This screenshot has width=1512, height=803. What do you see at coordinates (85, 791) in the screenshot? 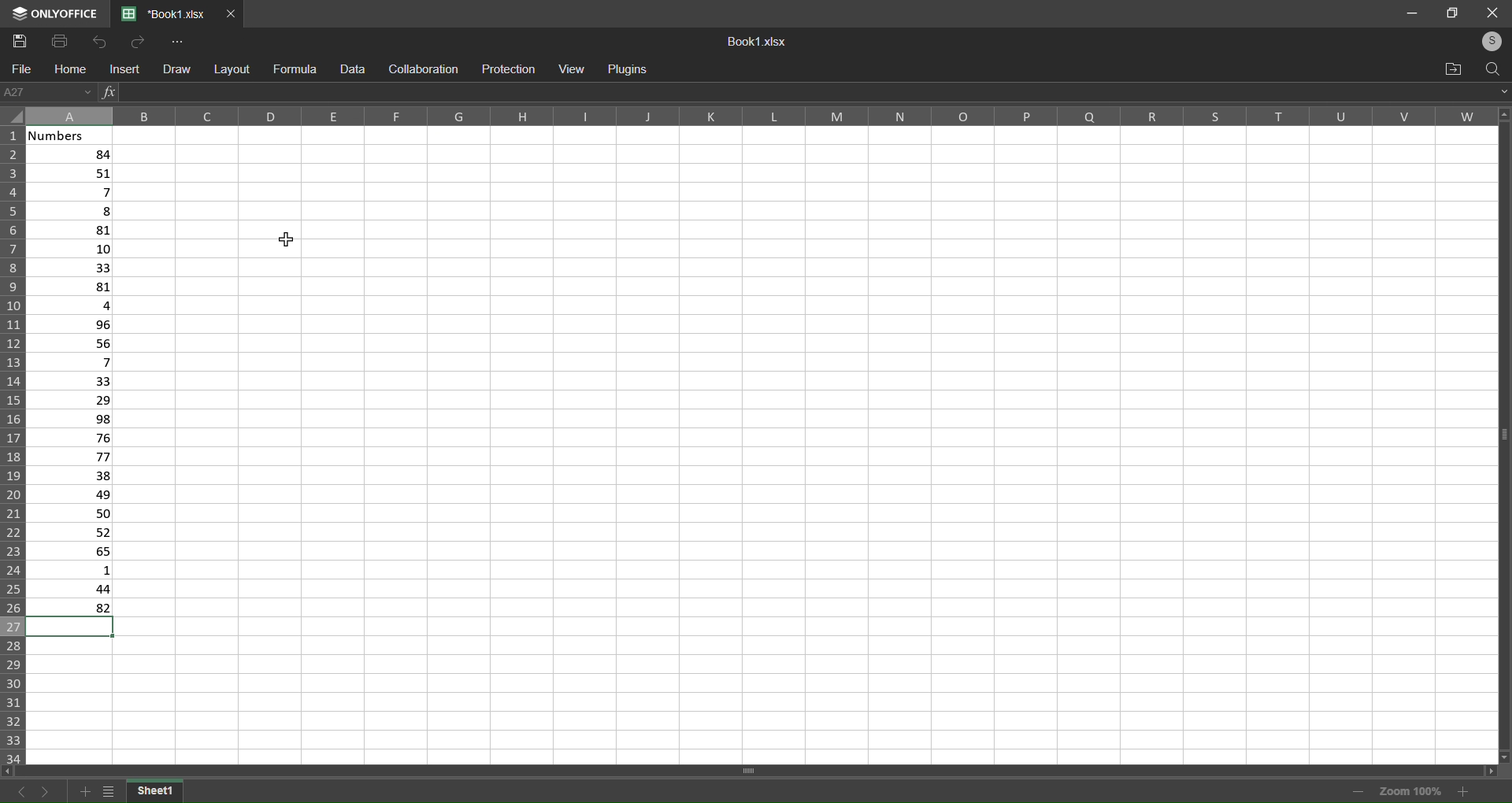
I see `add sheet` at bounding box center [85, 791].